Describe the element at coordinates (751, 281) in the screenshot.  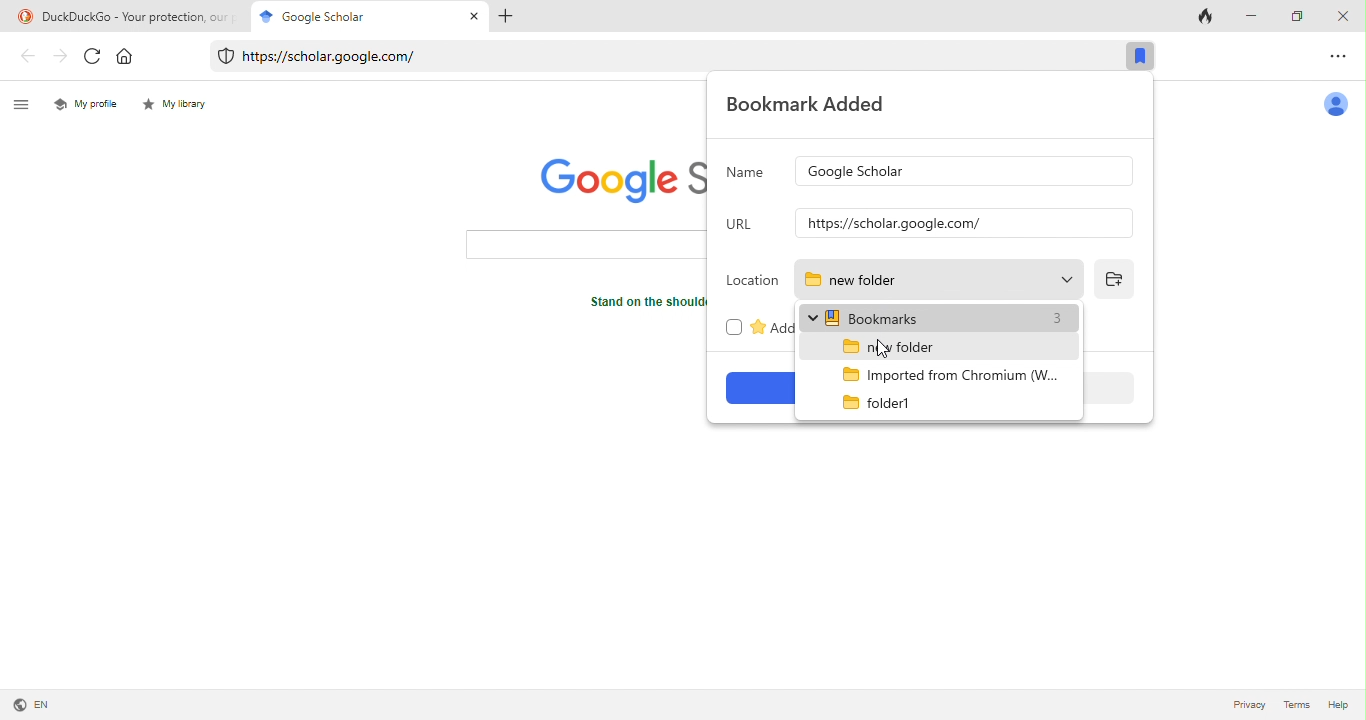
I see `location` at that location.